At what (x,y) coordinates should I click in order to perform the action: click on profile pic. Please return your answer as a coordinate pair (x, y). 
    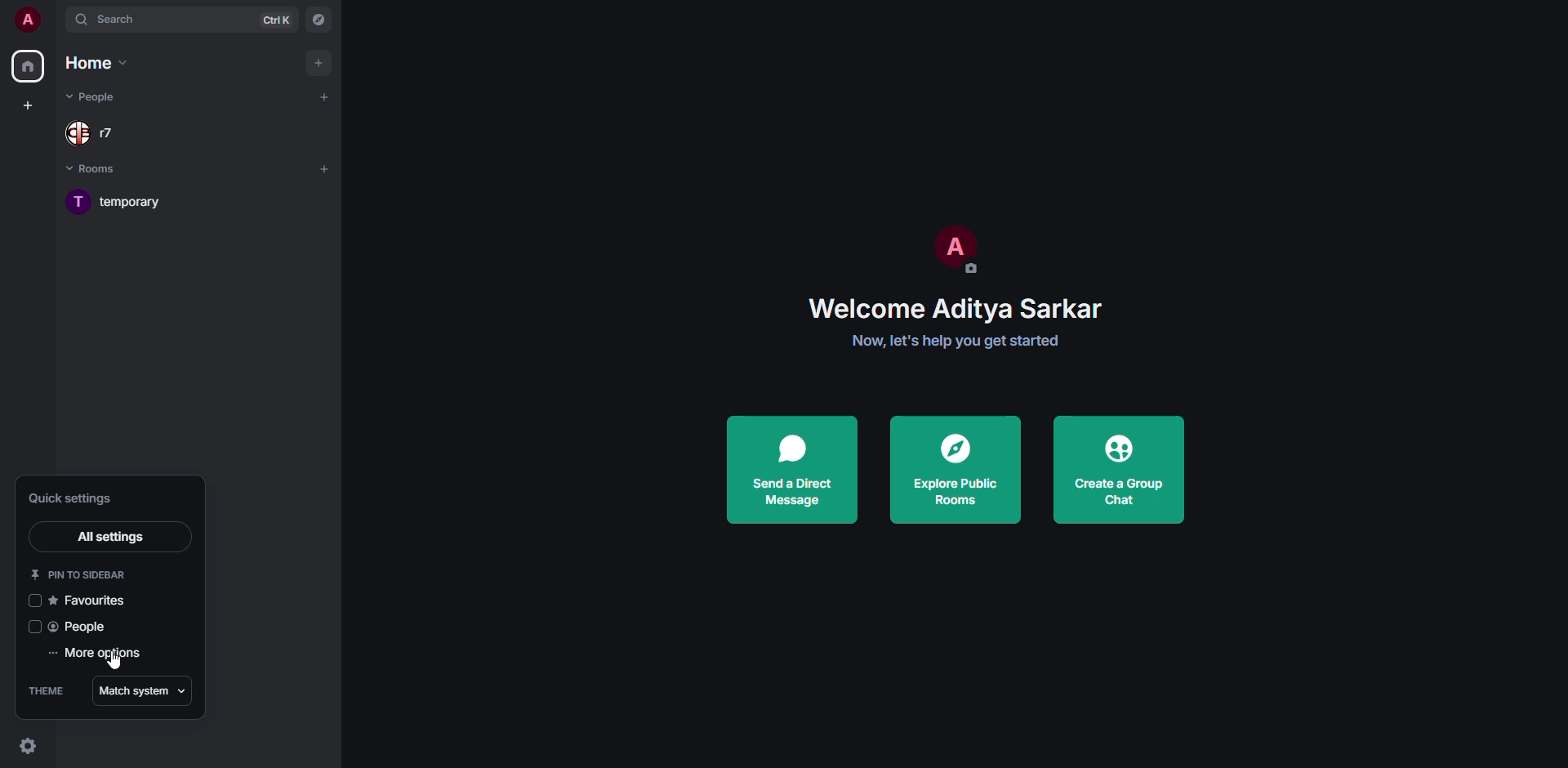
    Looking at the image, I should click on (952, 249).